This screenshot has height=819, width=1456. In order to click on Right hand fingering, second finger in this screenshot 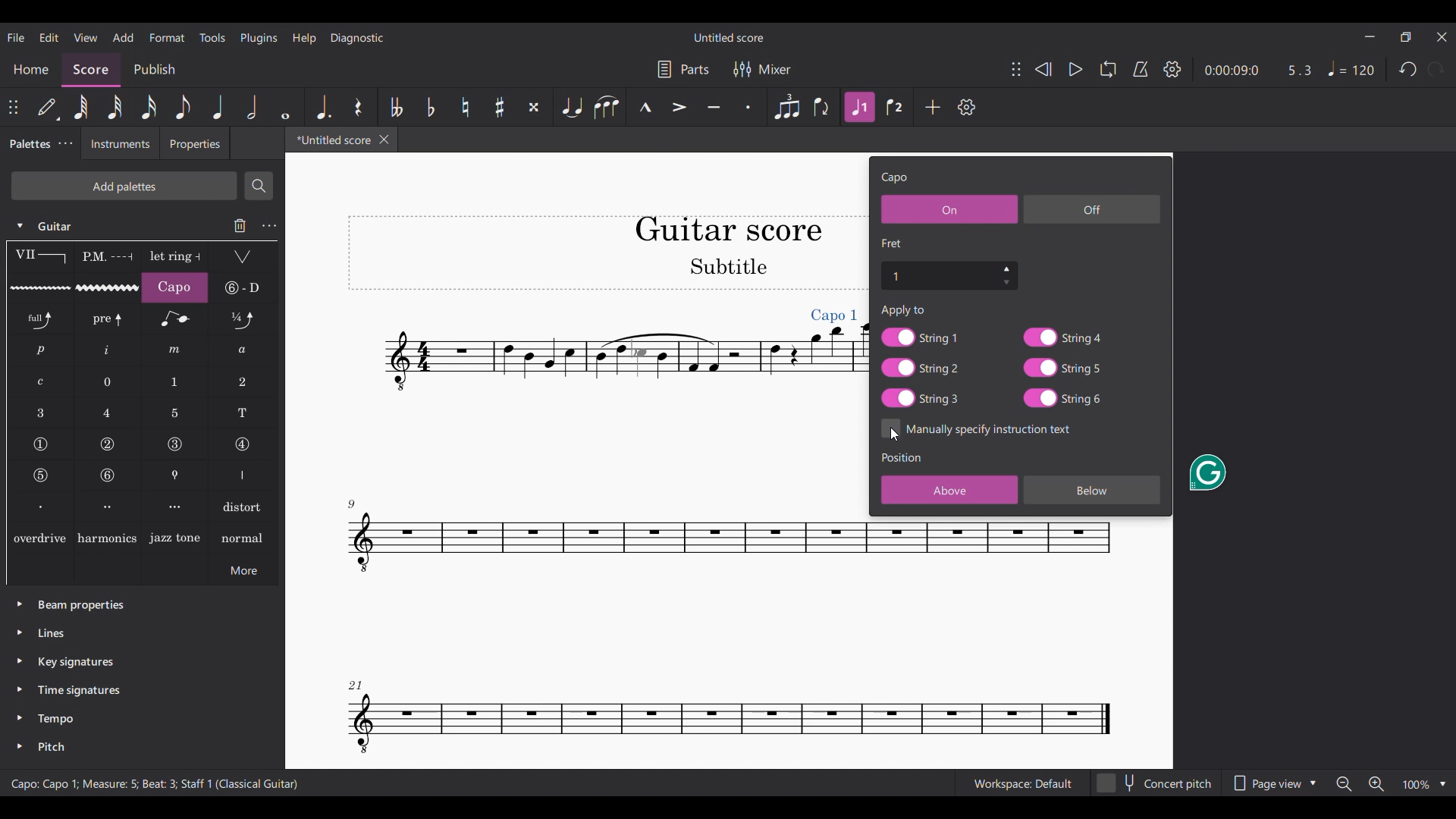, I will do `click(108, 507)`.